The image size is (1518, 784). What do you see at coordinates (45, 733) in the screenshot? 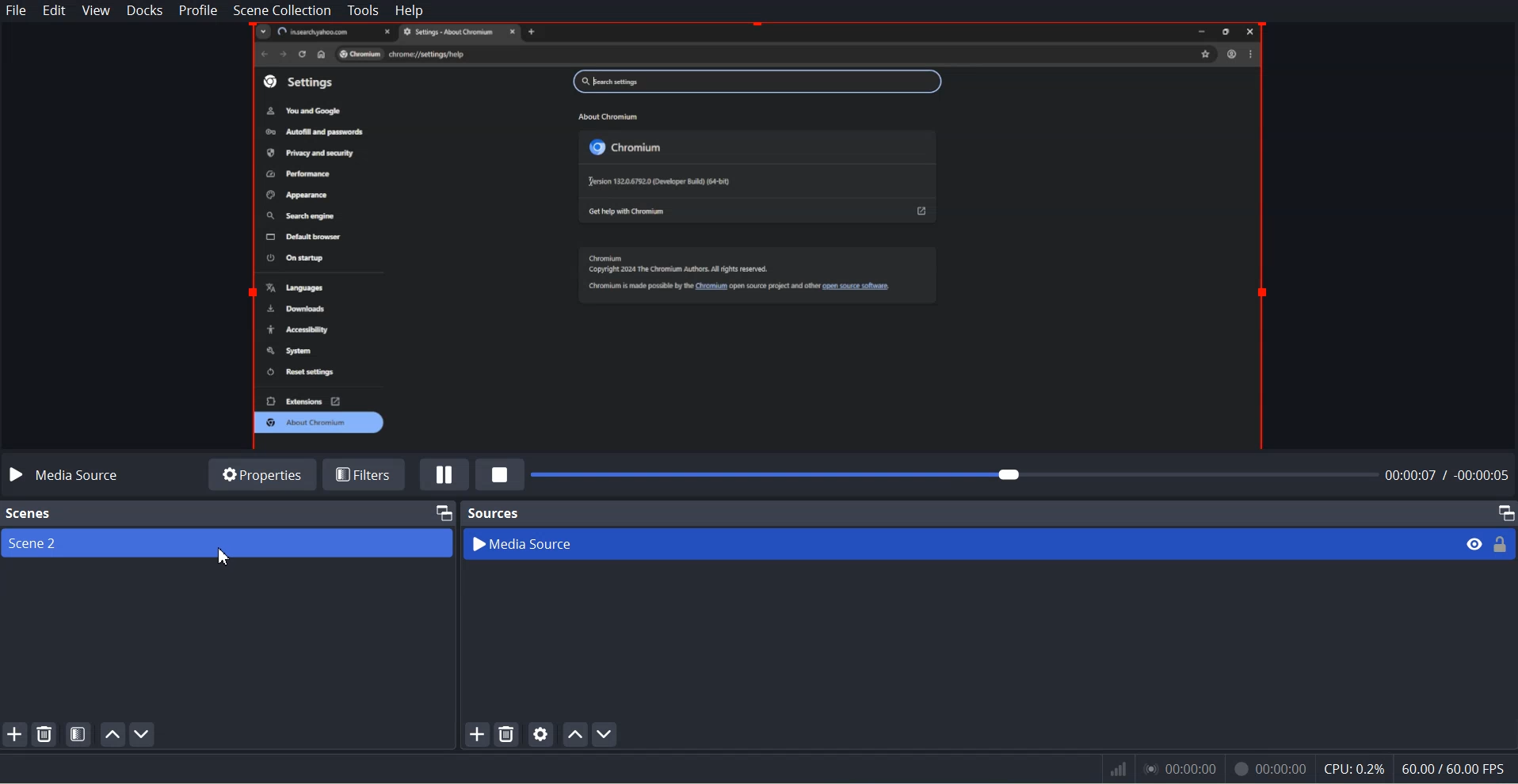
I see `Remove selected Scene` at bounding box center [45, 733].